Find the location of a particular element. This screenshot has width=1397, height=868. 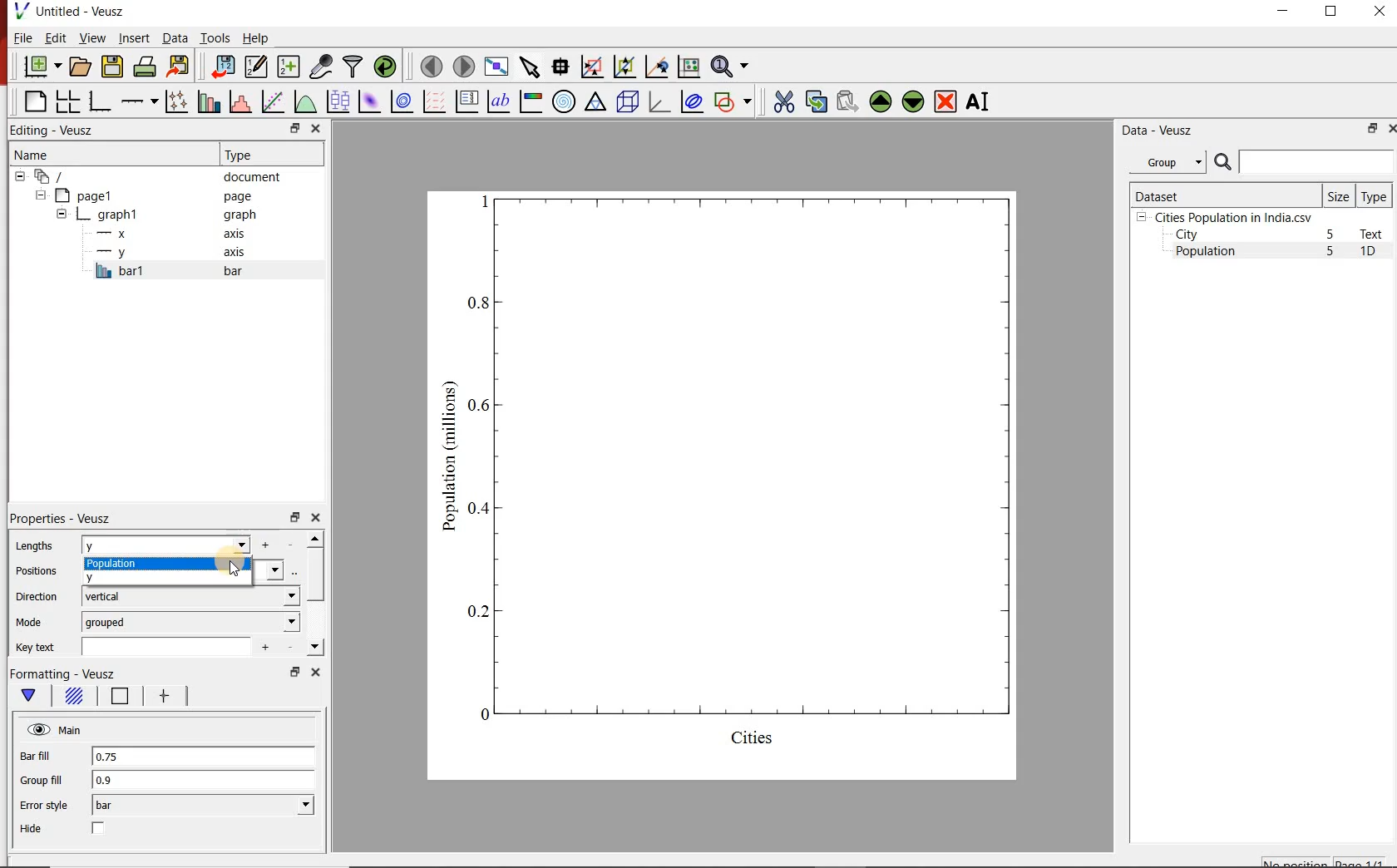

y is located at coordinates (189, 545).